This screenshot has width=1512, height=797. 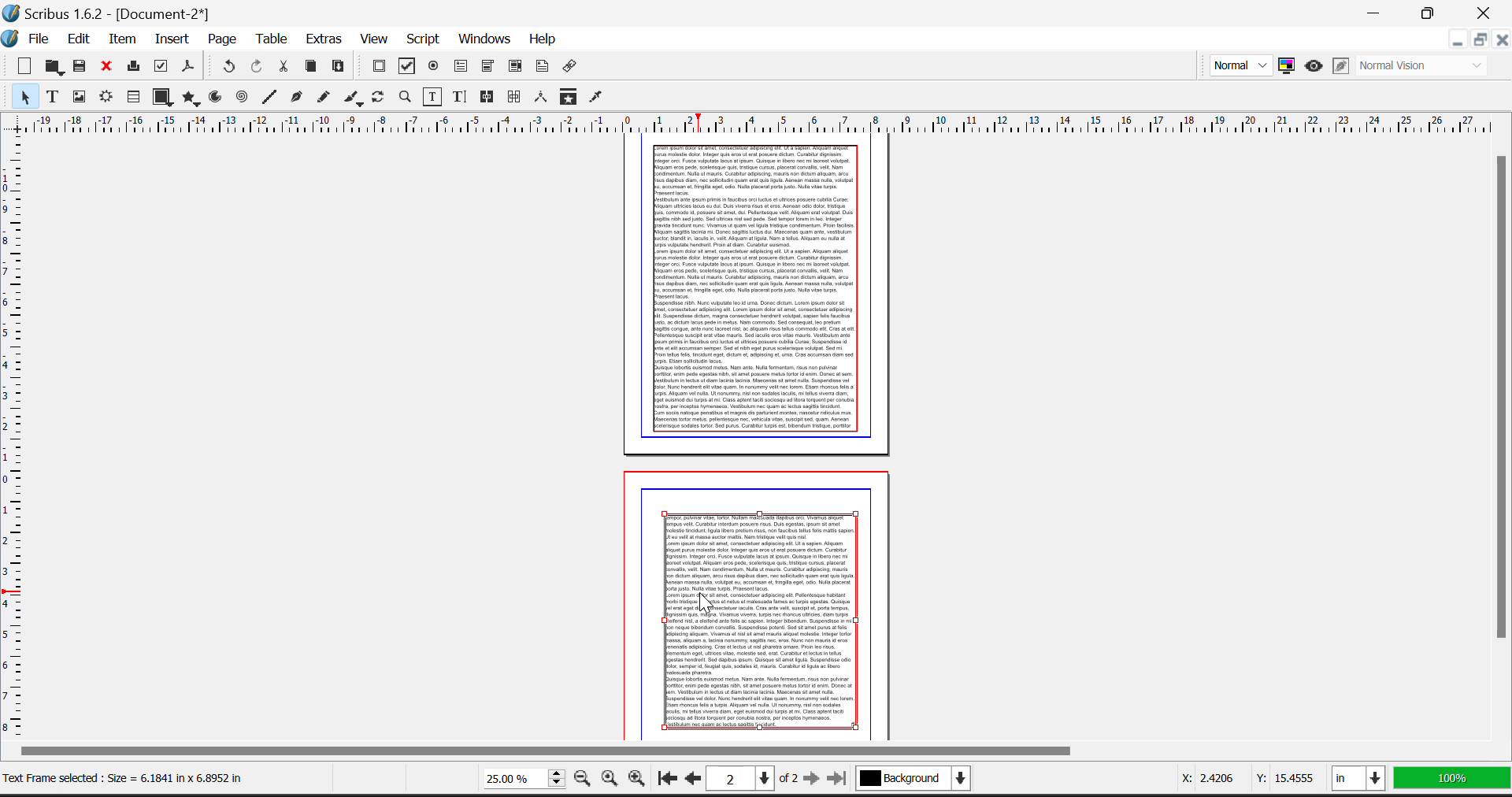 I want to click on Insert, so click(x=171, y=37).